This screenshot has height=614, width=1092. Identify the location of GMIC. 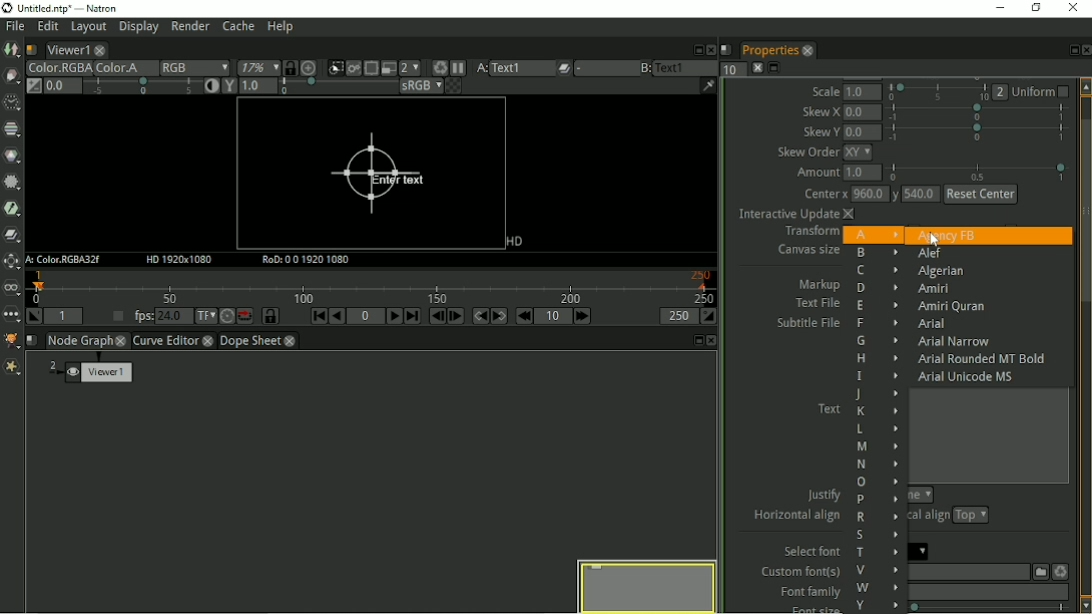
(12, 340).